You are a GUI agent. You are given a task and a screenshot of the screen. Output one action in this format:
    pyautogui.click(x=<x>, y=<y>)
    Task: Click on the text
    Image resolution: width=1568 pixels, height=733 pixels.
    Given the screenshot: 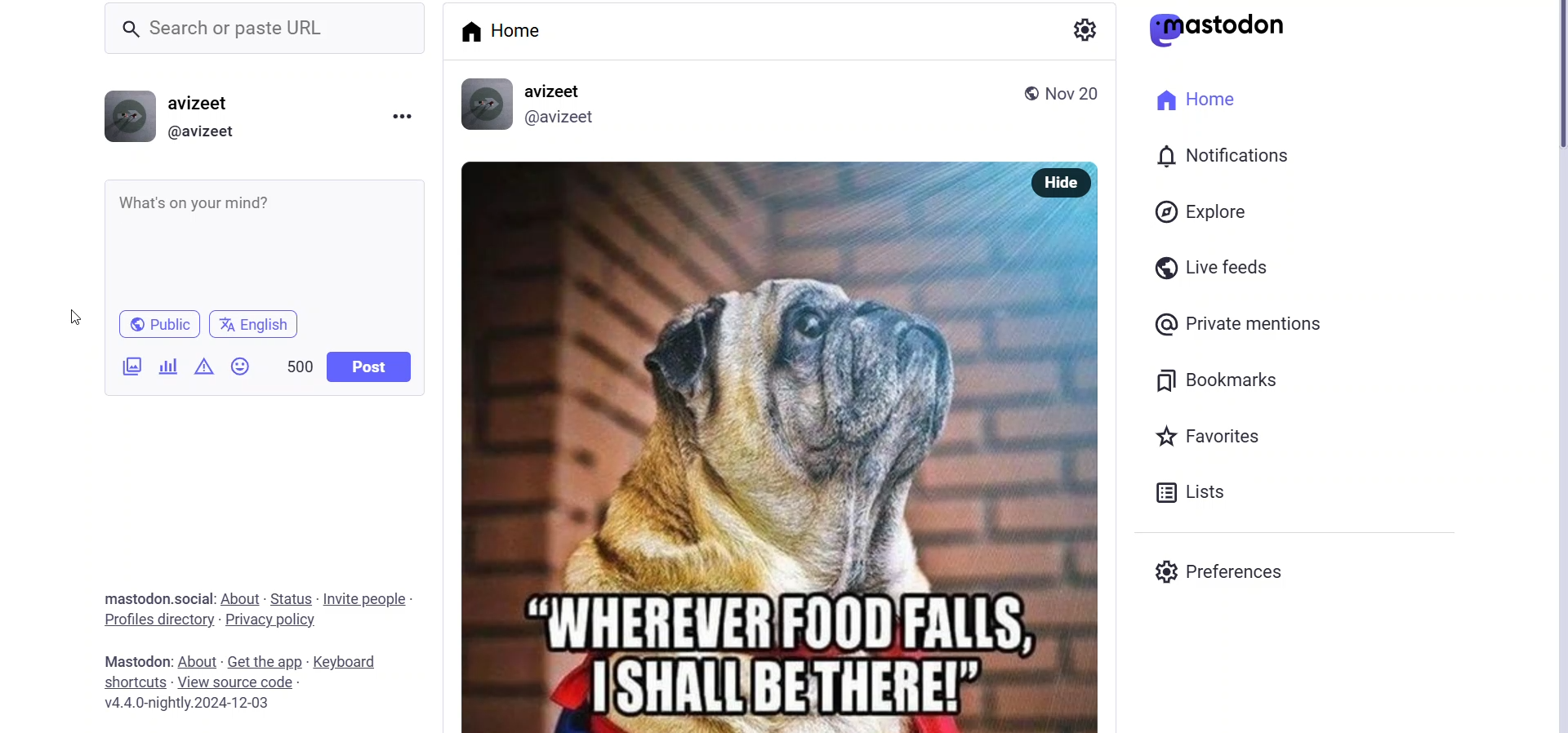 What is the action you would take?
    pyautogui.click(x=150, y=598)
    